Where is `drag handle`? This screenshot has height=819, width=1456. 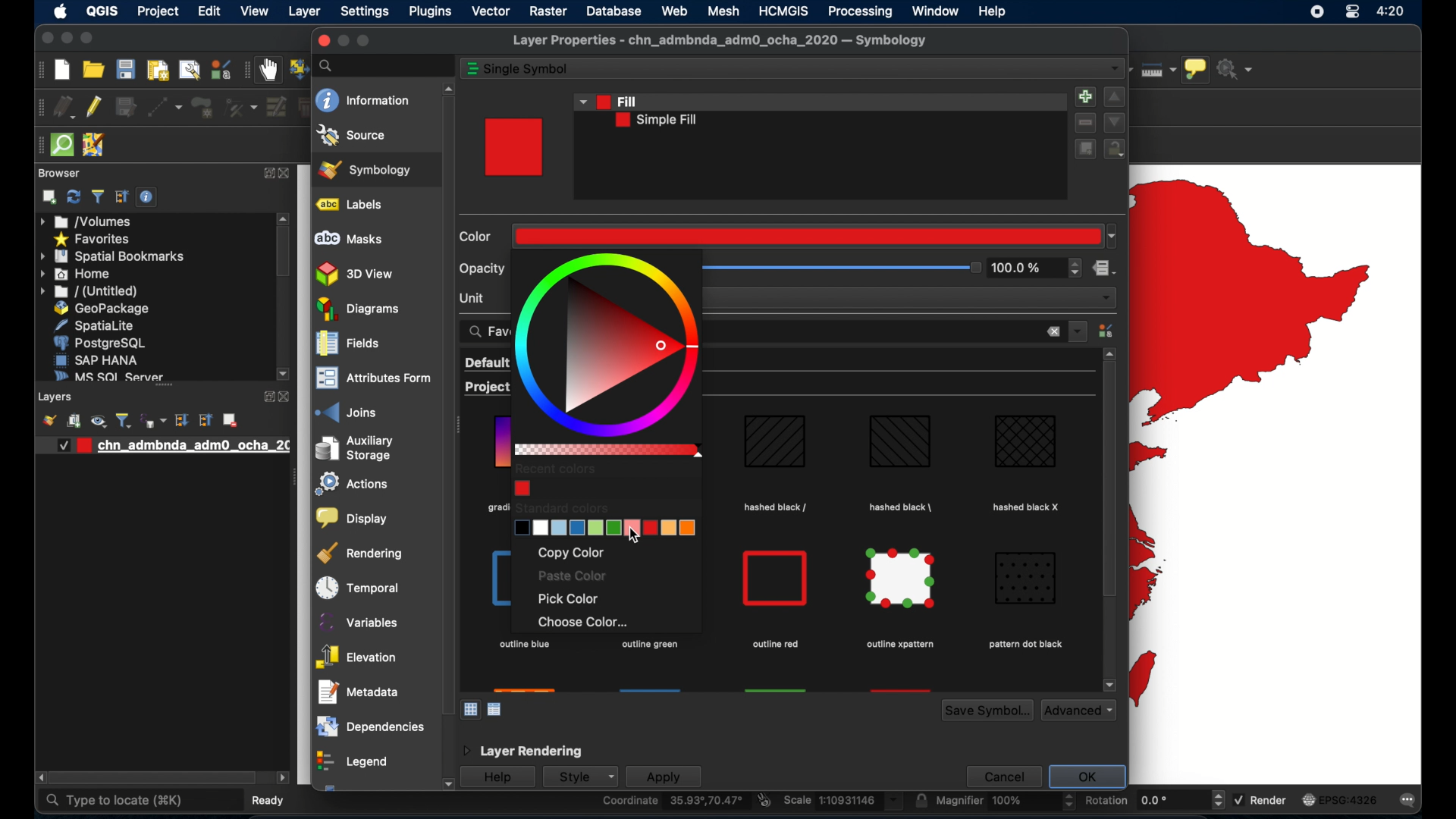
drag handle is located at coordinates (460, 427).